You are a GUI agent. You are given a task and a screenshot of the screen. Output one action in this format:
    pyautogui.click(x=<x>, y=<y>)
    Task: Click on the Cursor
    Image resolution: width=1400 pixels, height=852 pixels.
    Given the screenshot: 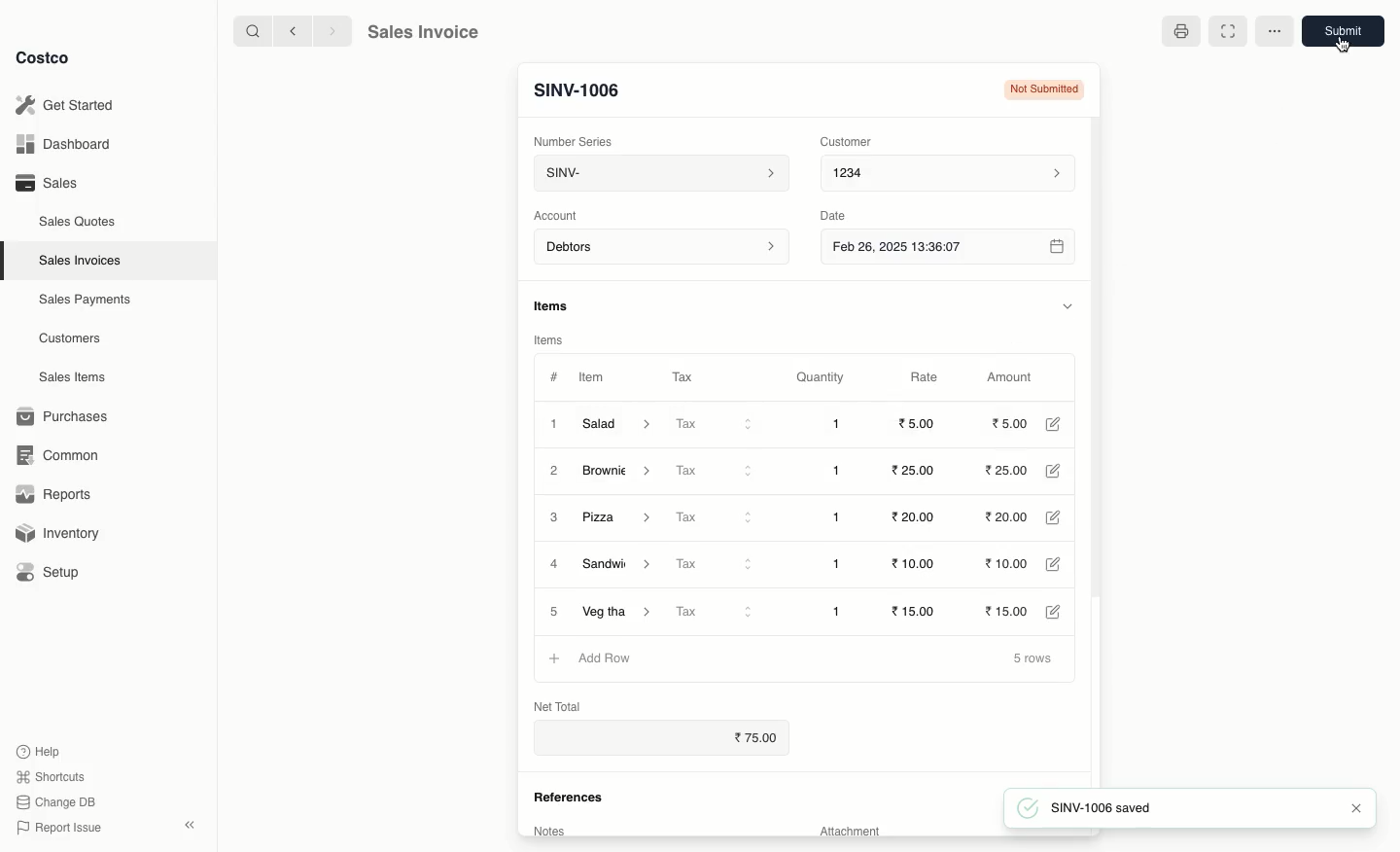 What is the action you would take?
    pyautogui.click(x=1346, y=47)
    